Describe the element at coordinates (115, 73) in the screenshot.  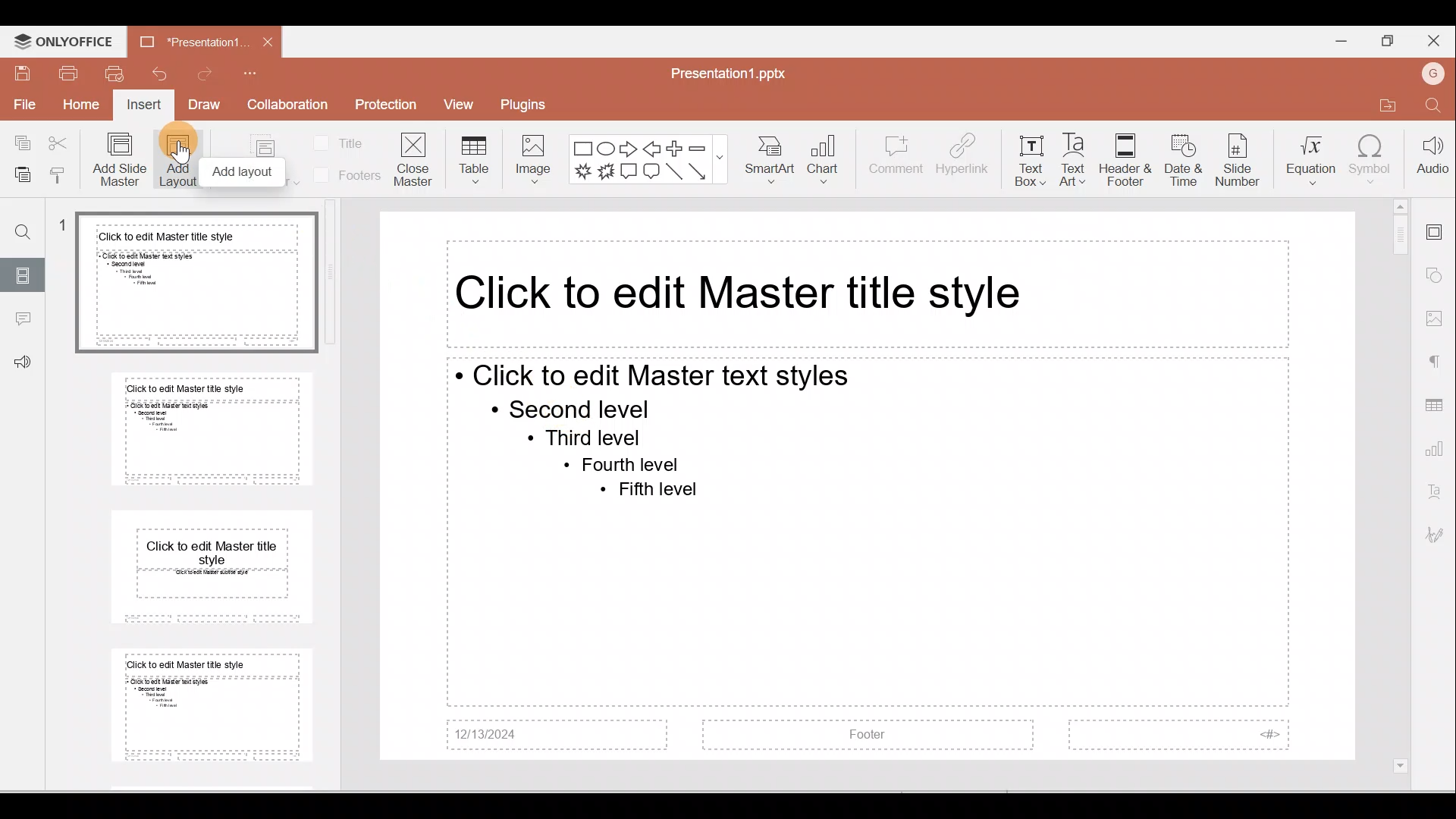
I see `Quick print` at that location.